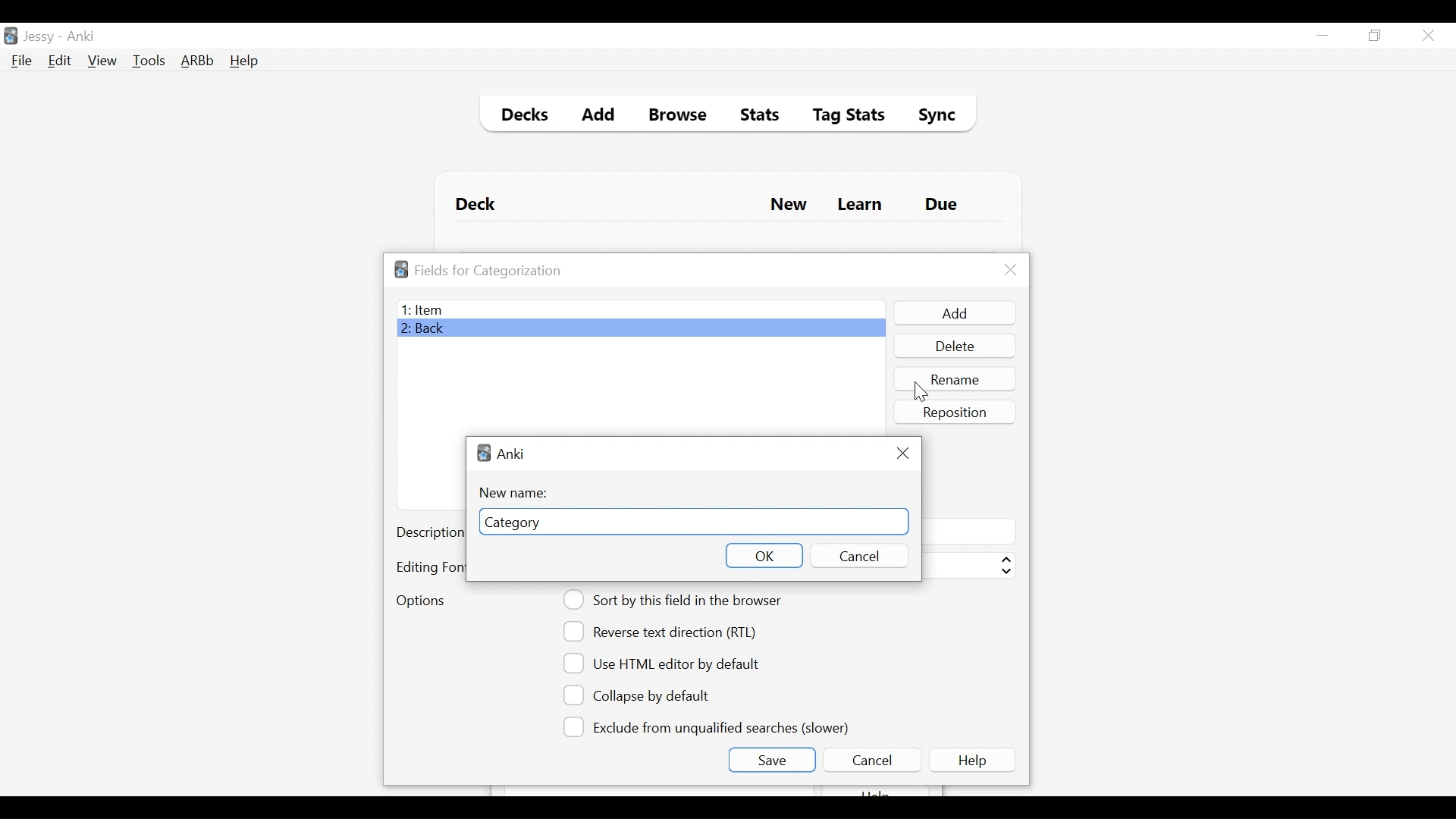 Image resolution: width=1456 pixels, height=819 pixels. I want to click on Save, so click(771, 760).